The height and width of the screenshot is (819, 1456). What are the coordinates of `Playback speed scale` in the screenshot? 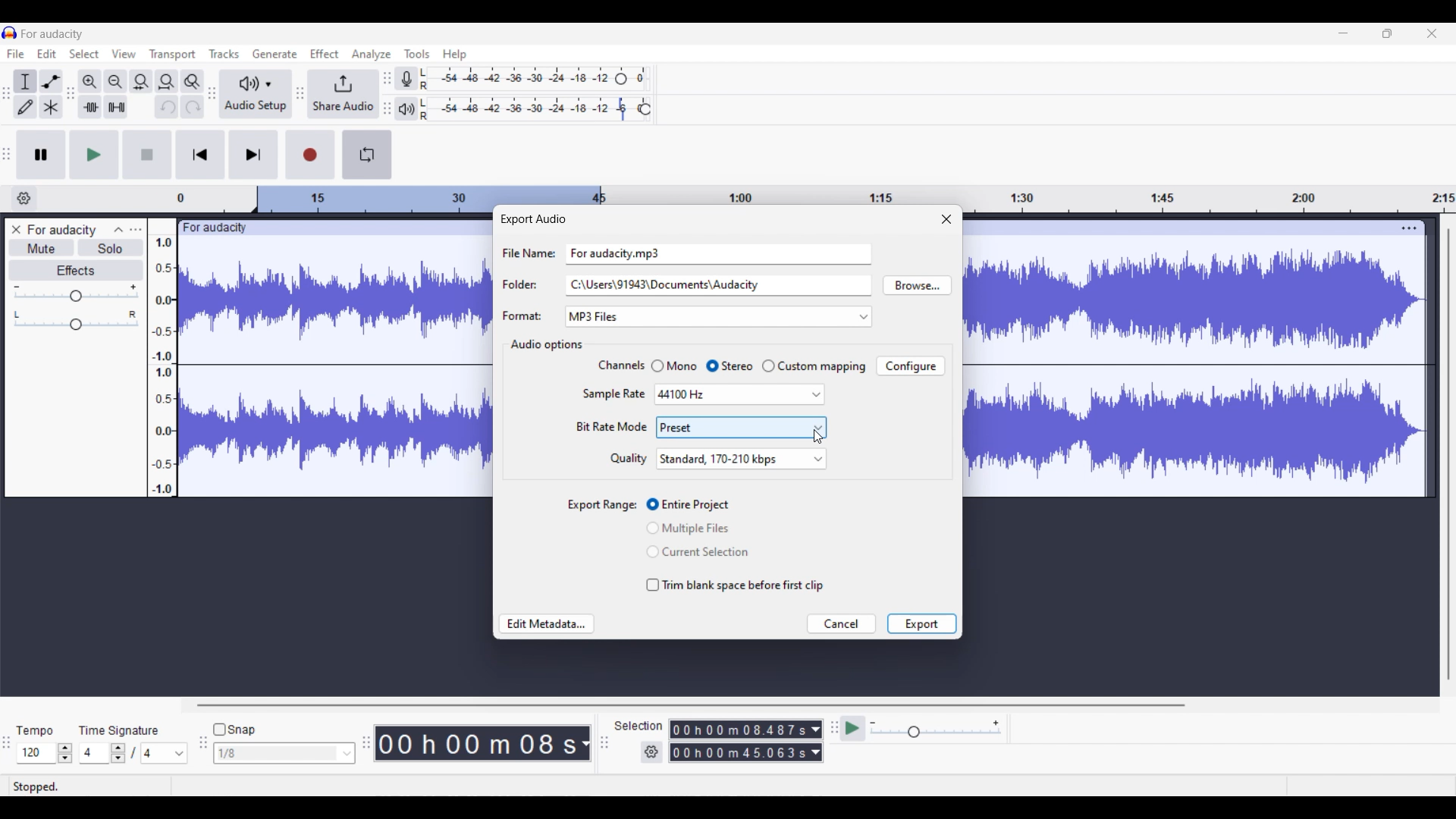 It's located at (936, 728).